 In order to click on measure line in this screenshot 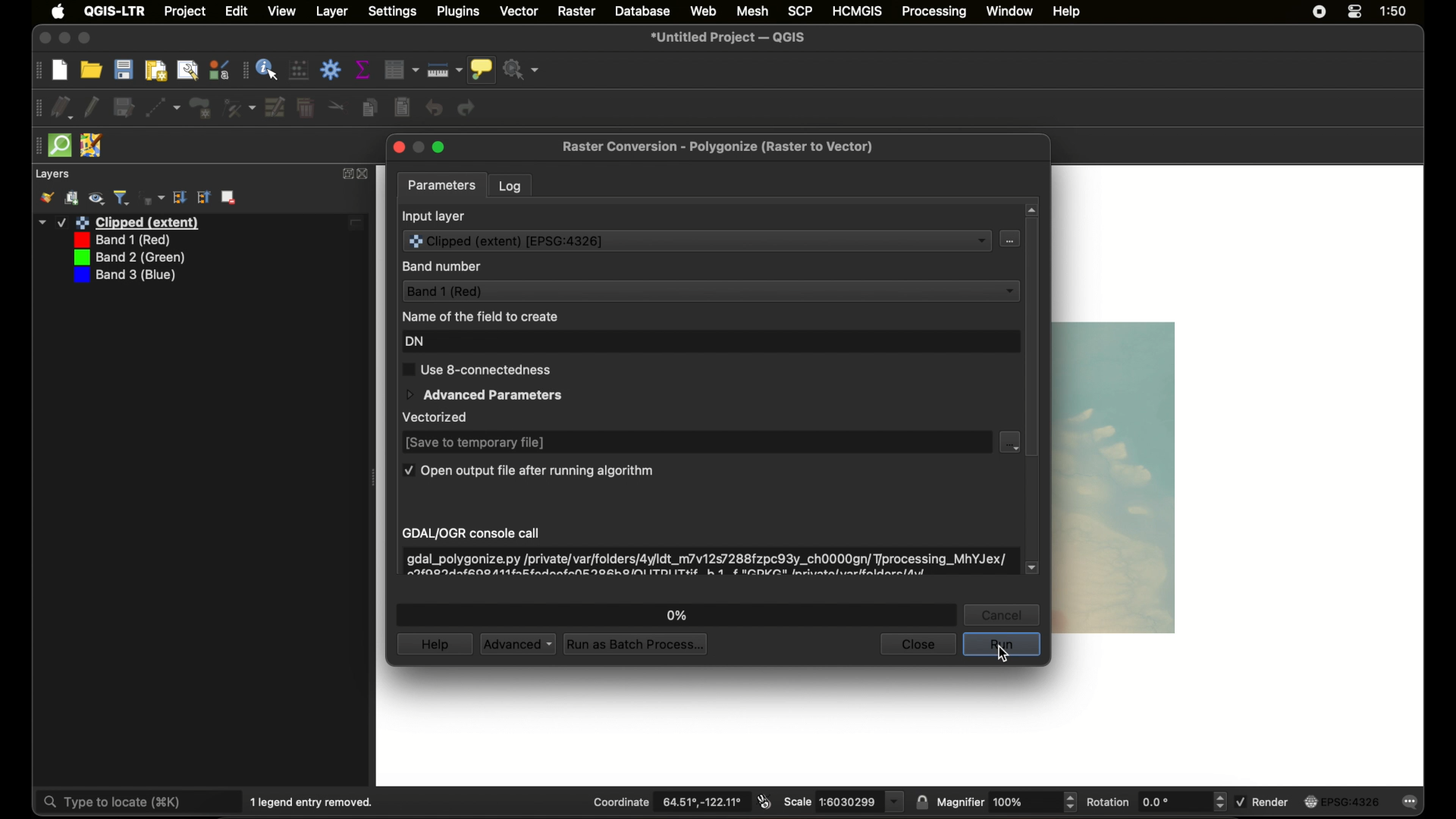, I will do `click(444, 71)`.